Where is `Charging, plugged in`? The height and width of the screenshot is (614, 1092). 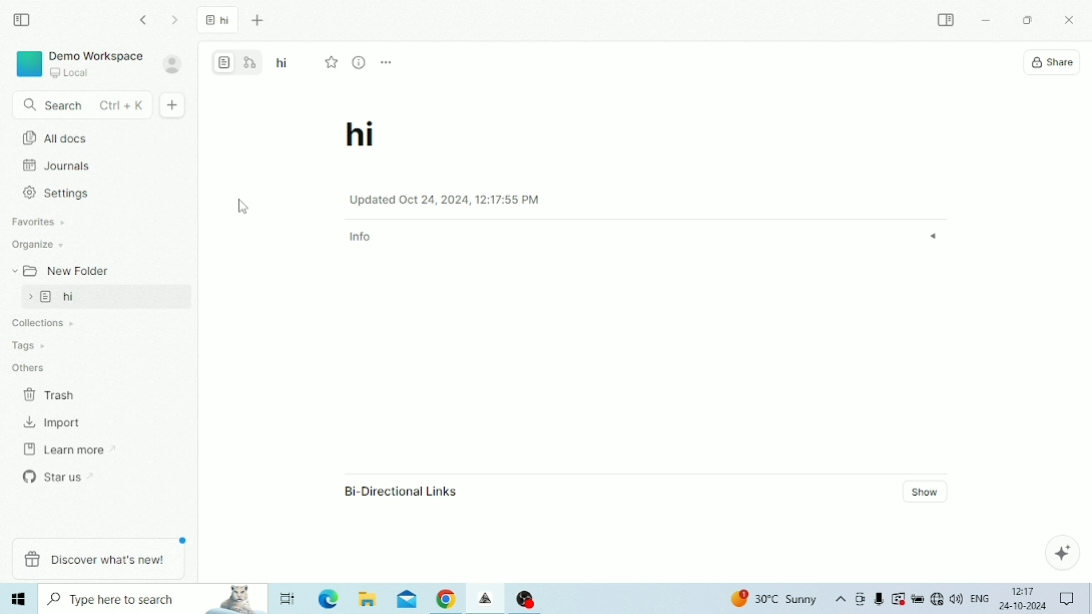
Charging, plugged in is located at coordinates (917, 599).